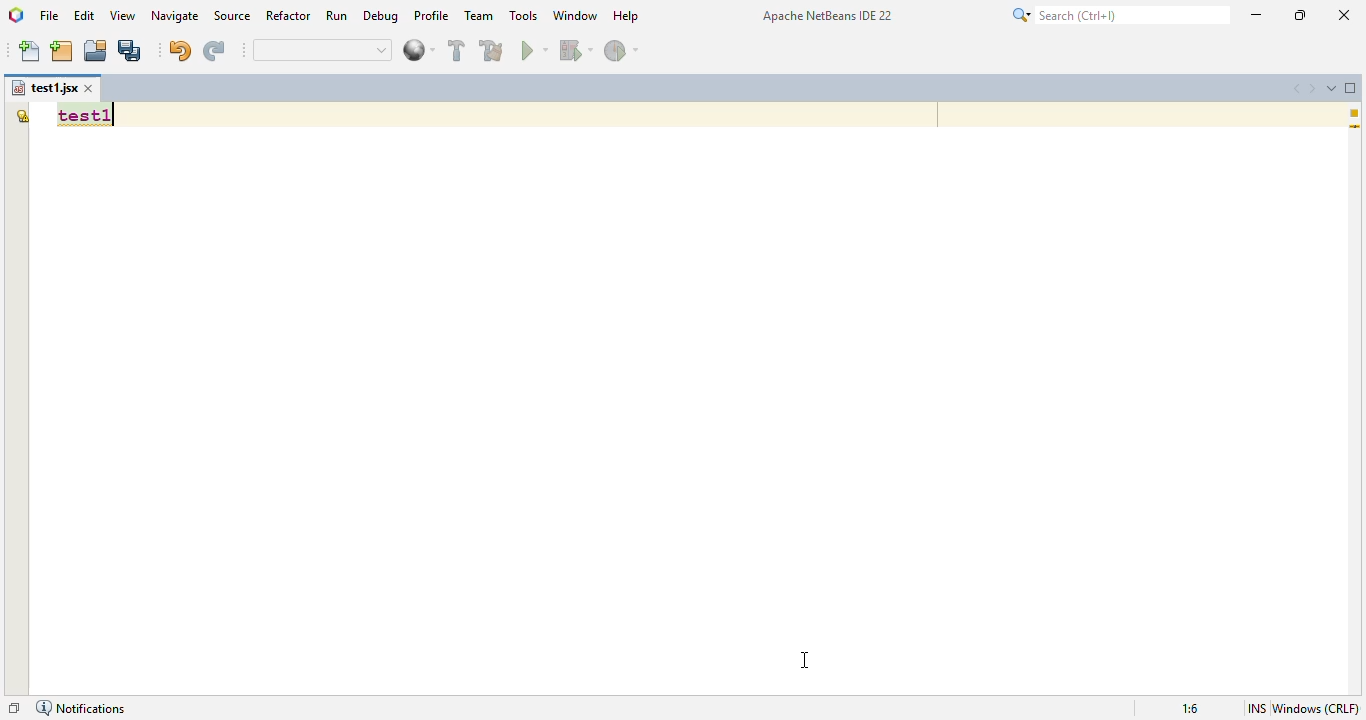  Describe the element at coordinates (233, 16) in the screenshot. I see `source` at that location.